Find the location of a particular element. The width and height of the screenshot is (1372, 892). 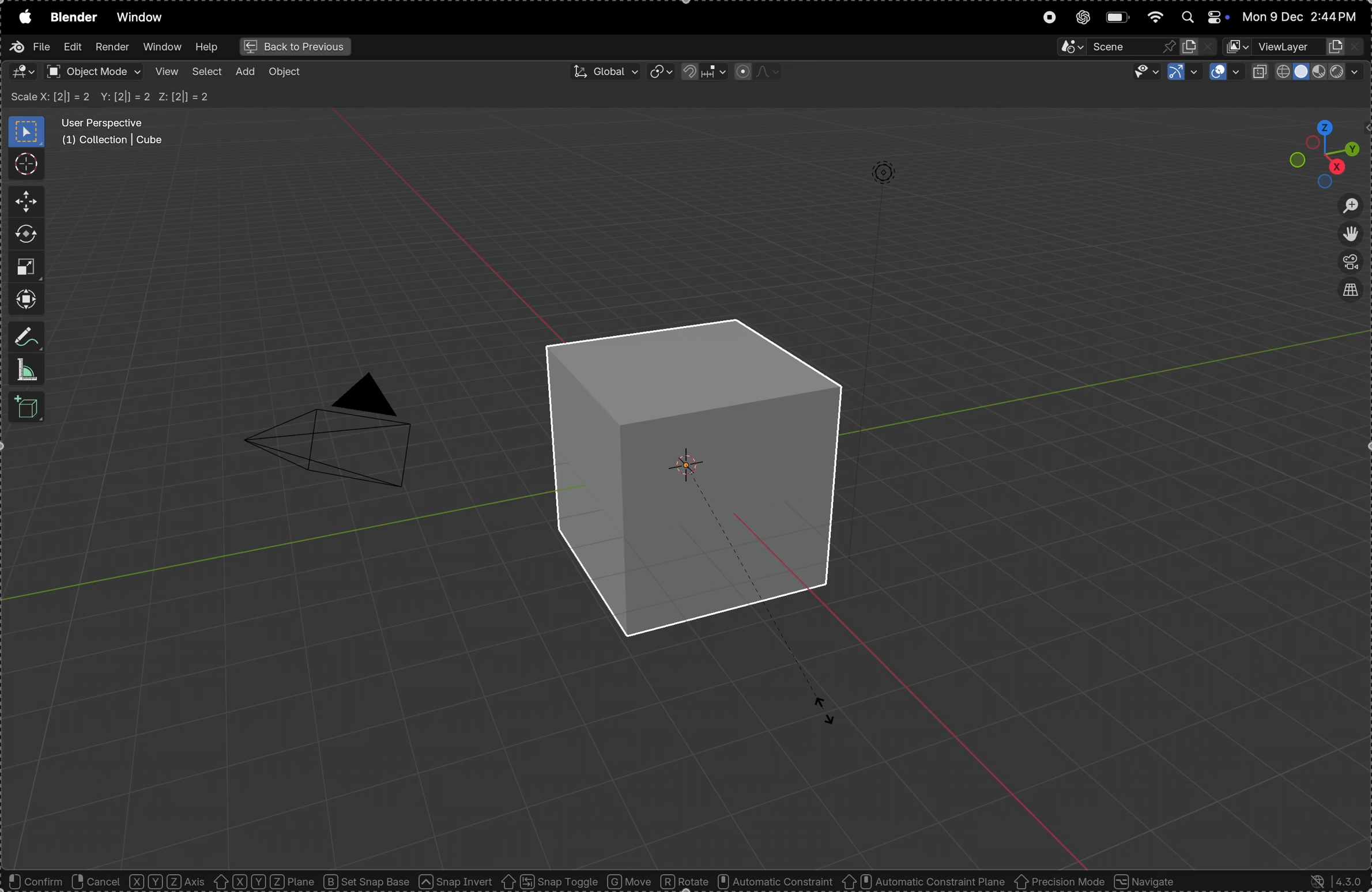

proportional fall off is located at coordinates (756, 71).